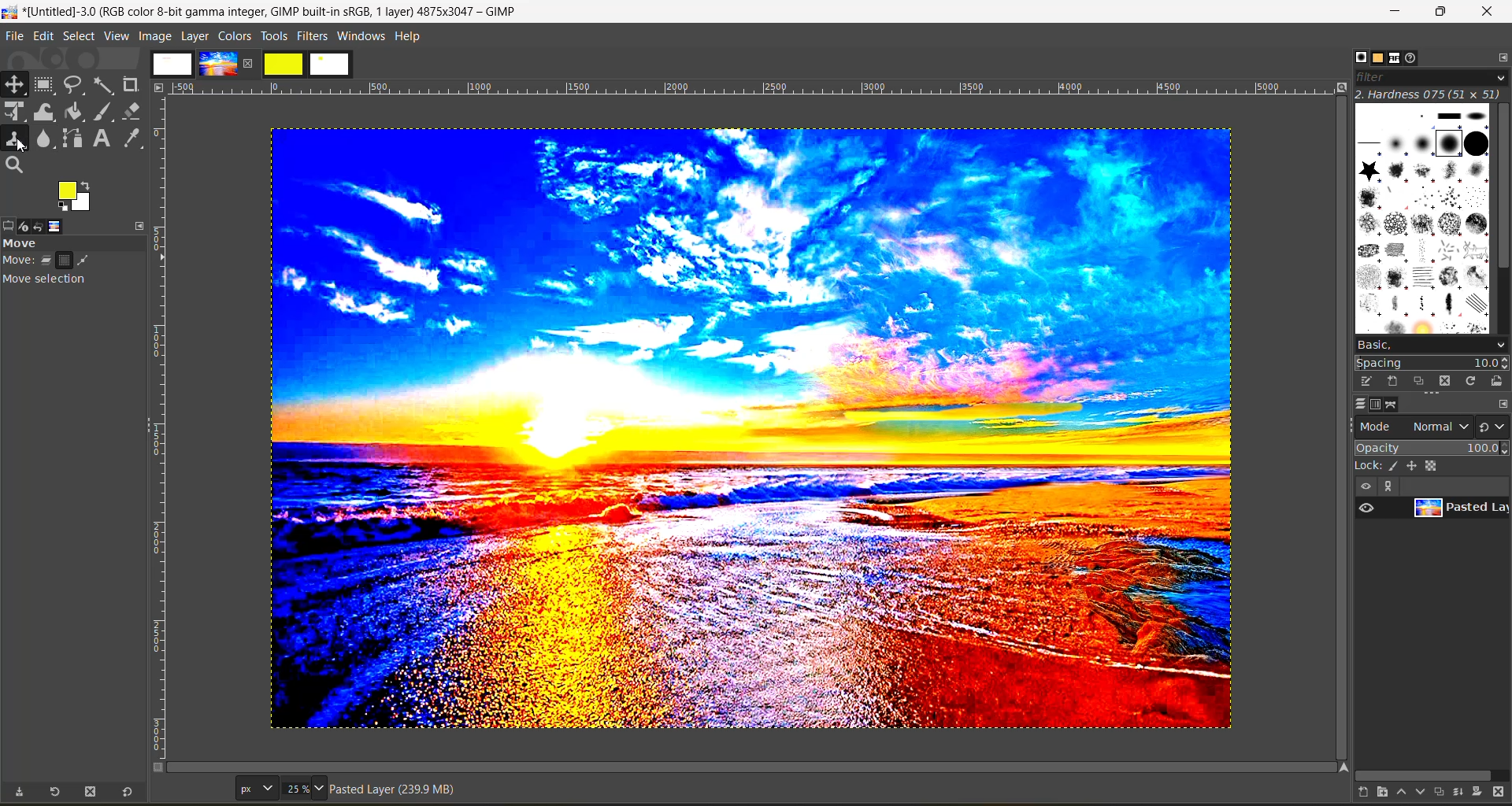  Describe the element at coordinates (234, 35) in the screenshot. I see `colors` at that location.